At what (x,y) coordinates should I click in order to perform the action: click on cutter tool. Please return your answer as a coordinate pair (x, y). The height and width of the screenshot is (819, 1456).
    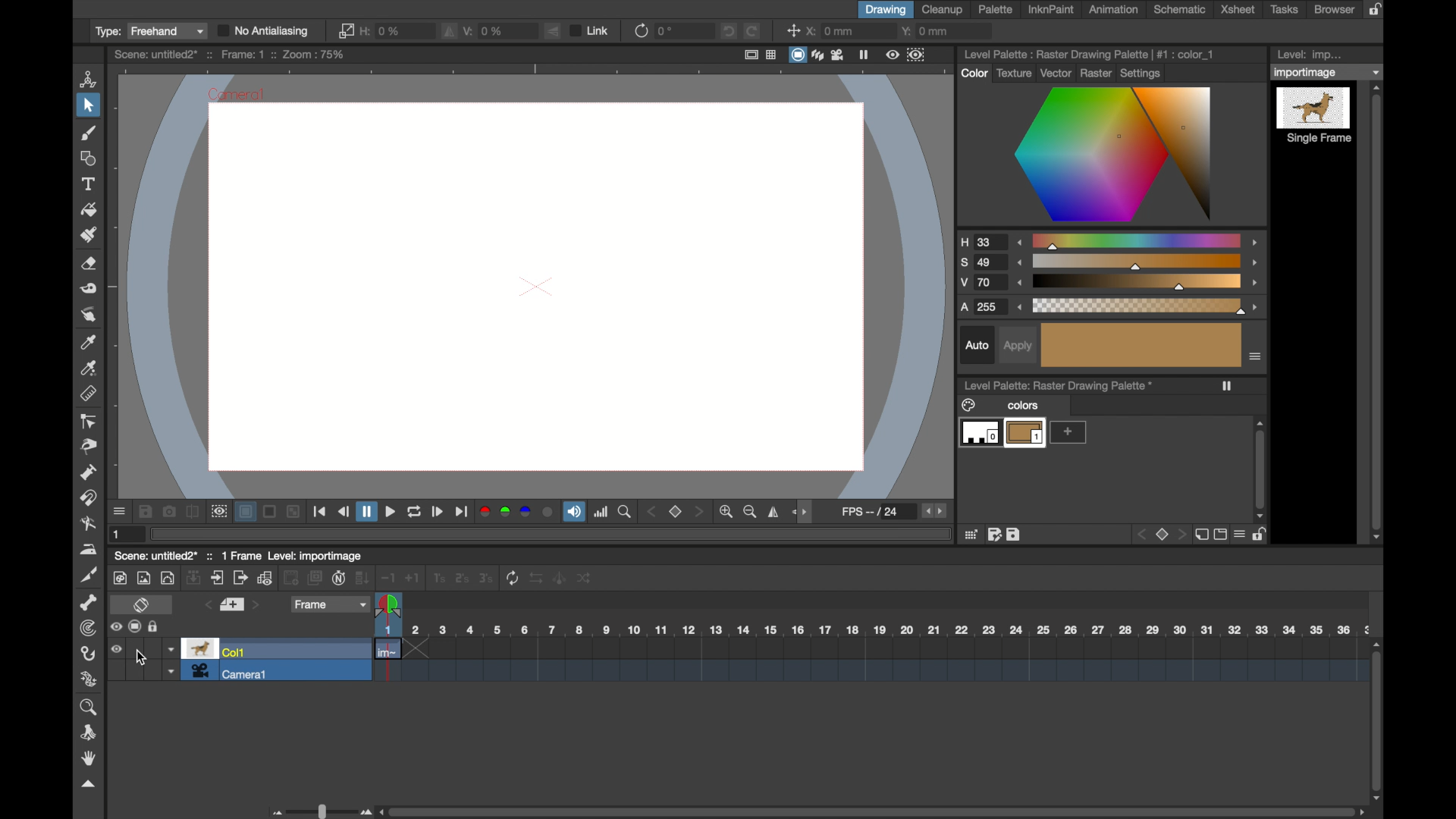
    Looking at the image, I should click on (90, 574).